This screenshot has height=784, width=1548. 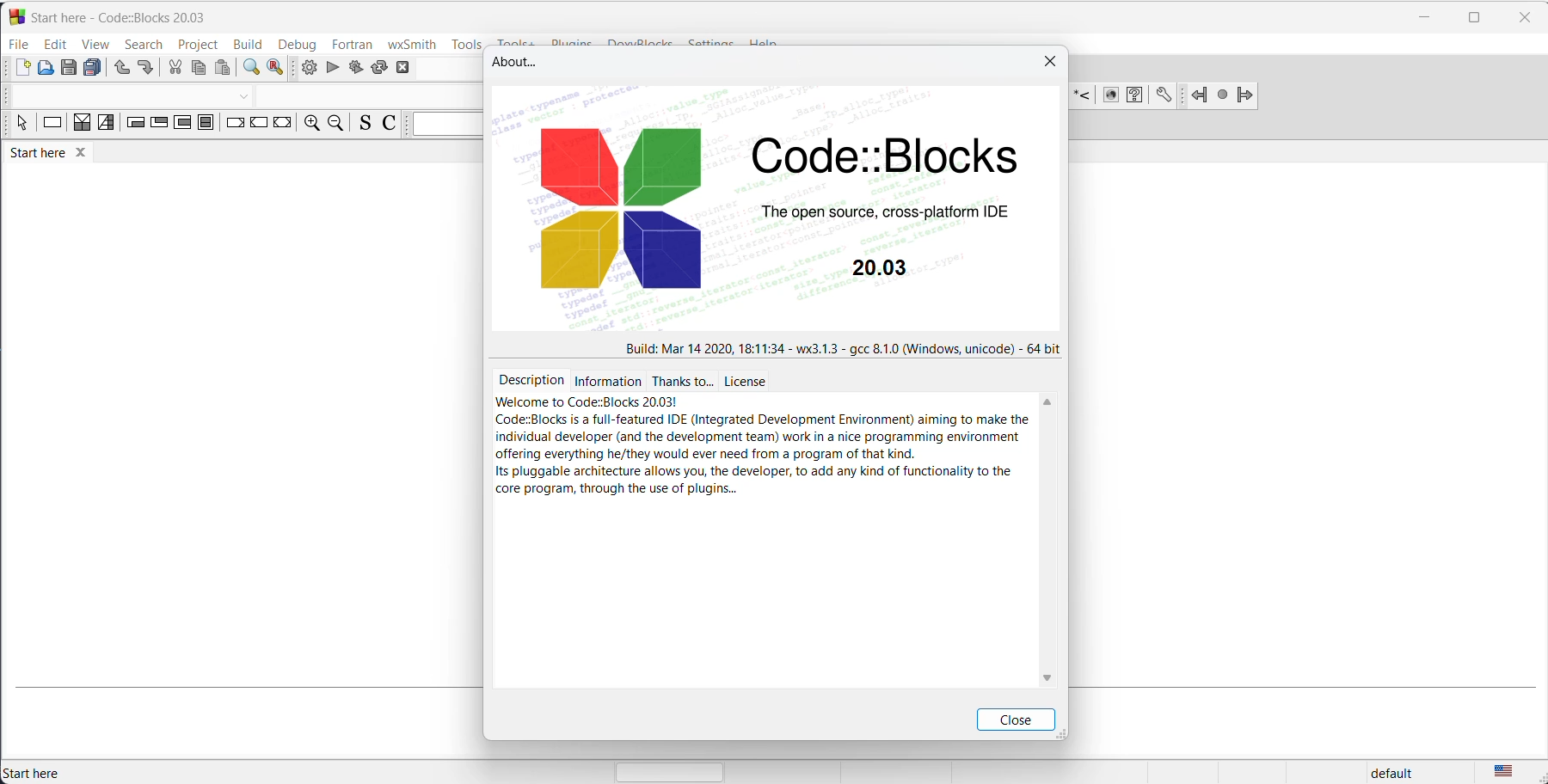 I want to click on counting loop, so click(x=183, y=126).